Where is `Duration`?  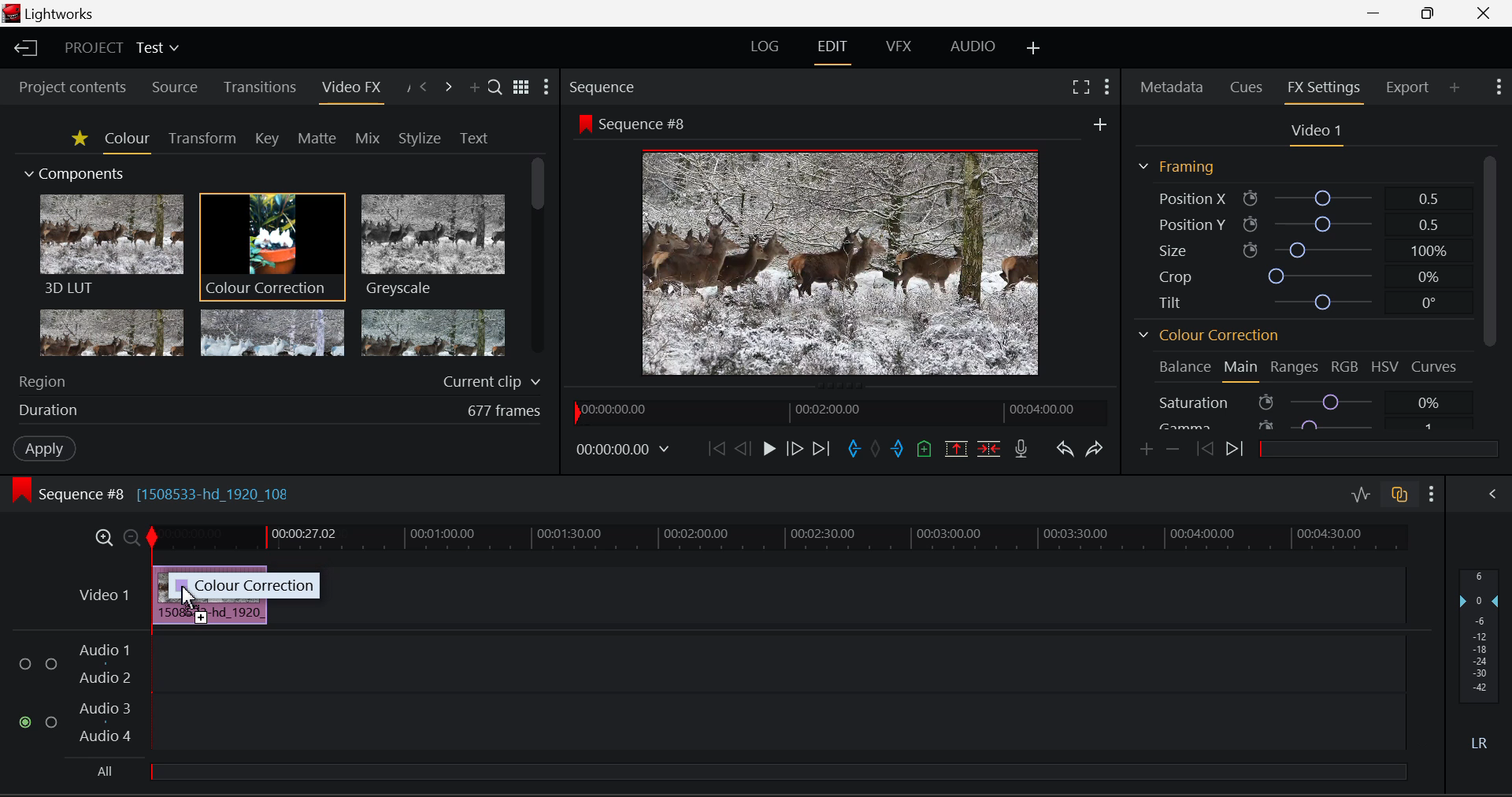
Duration is located at coordinates (279, 409).